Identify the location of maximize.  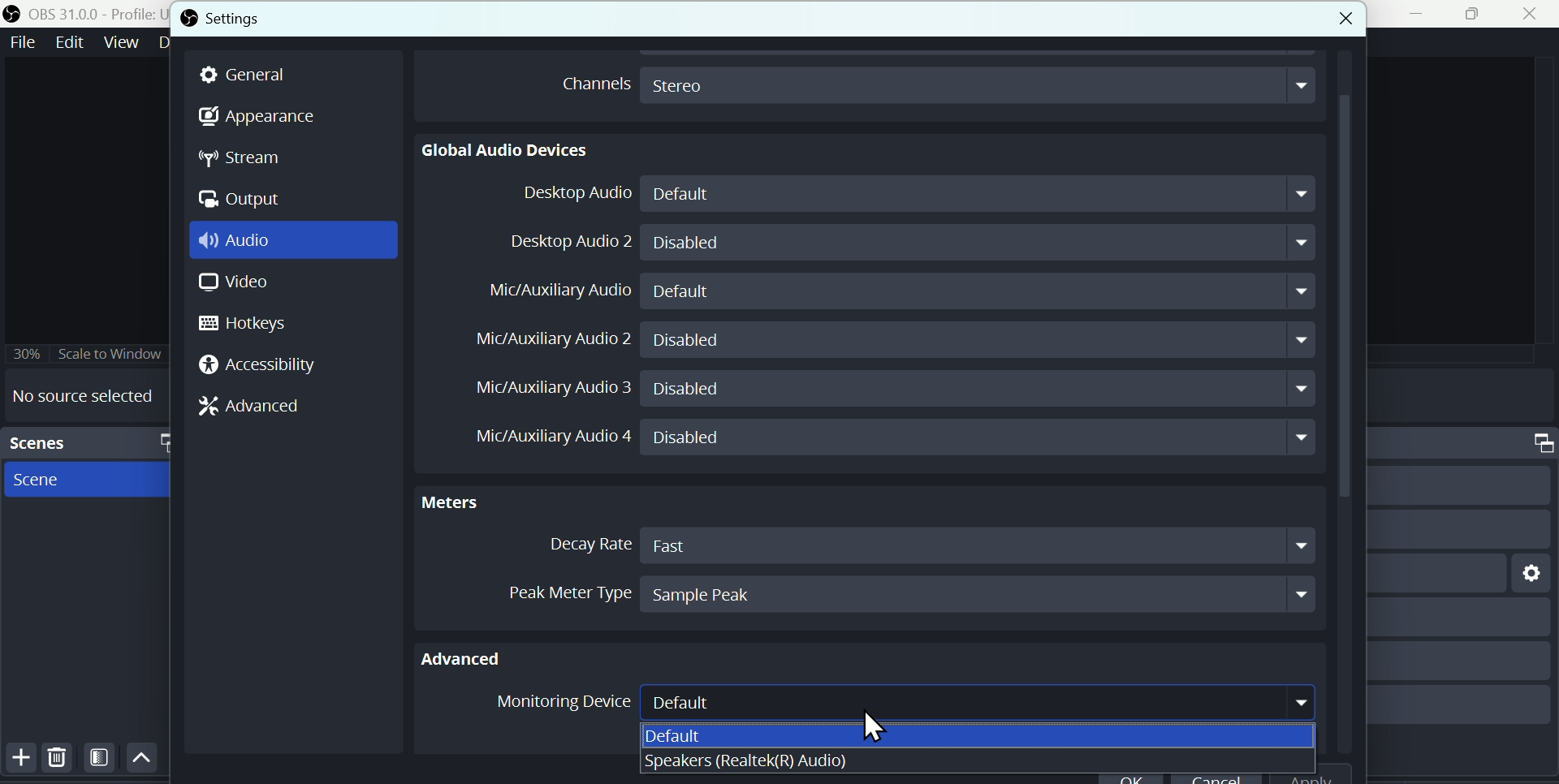
(1535, 442).